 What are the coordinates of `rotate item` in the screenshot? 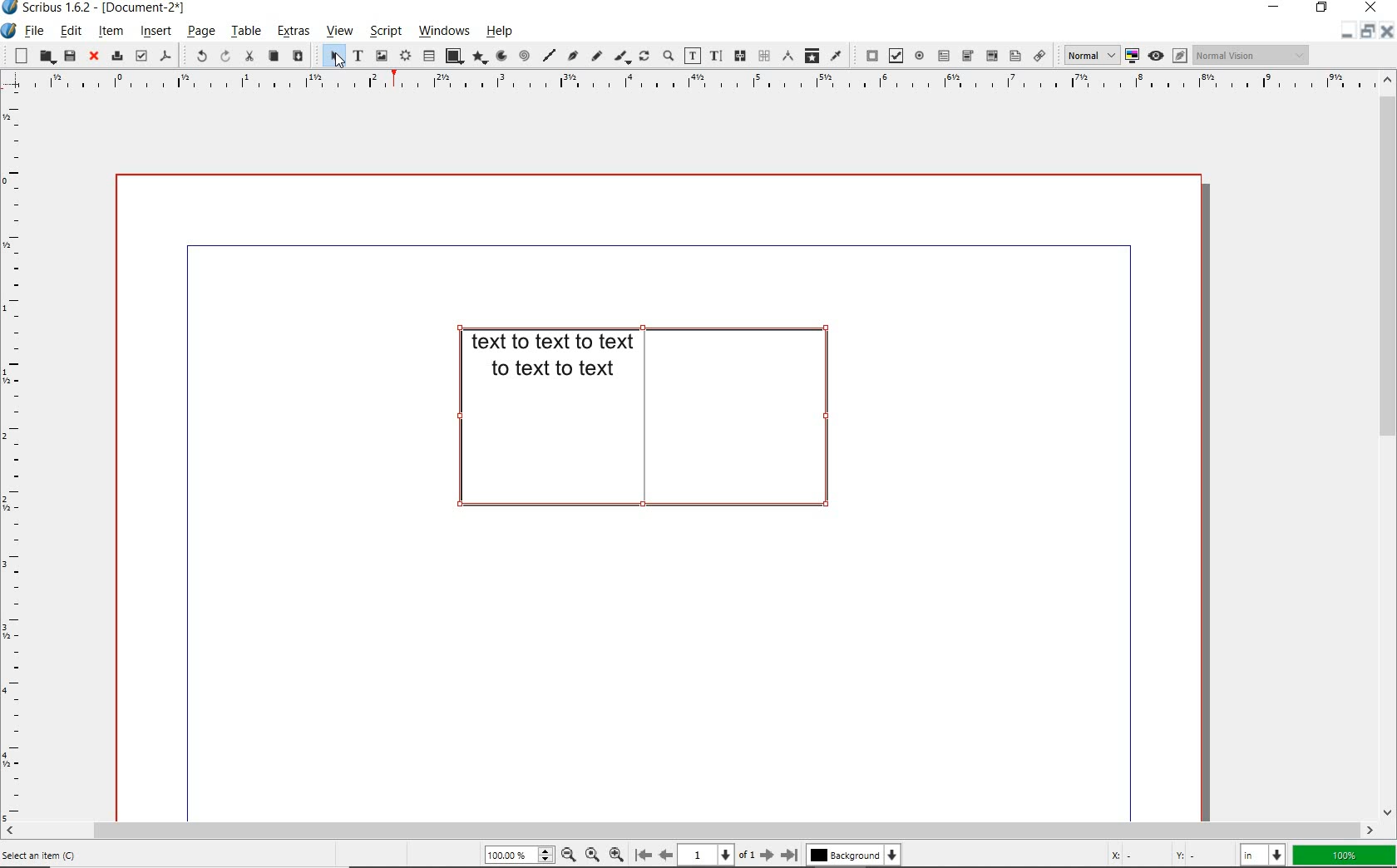 It's located at (643, 57).